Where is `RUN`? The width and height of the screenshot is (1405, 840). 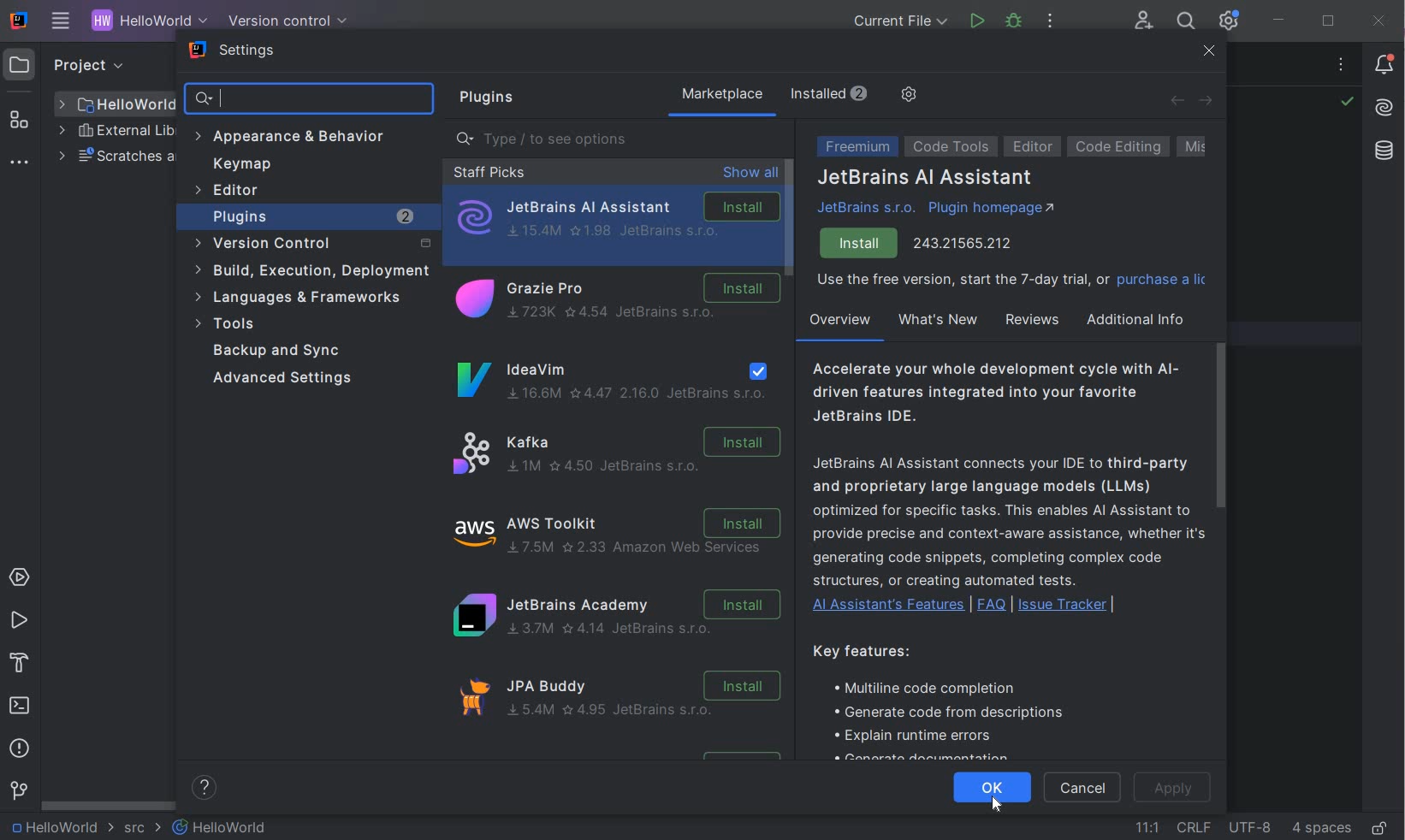 RUN is located at coordinates (977, 21).